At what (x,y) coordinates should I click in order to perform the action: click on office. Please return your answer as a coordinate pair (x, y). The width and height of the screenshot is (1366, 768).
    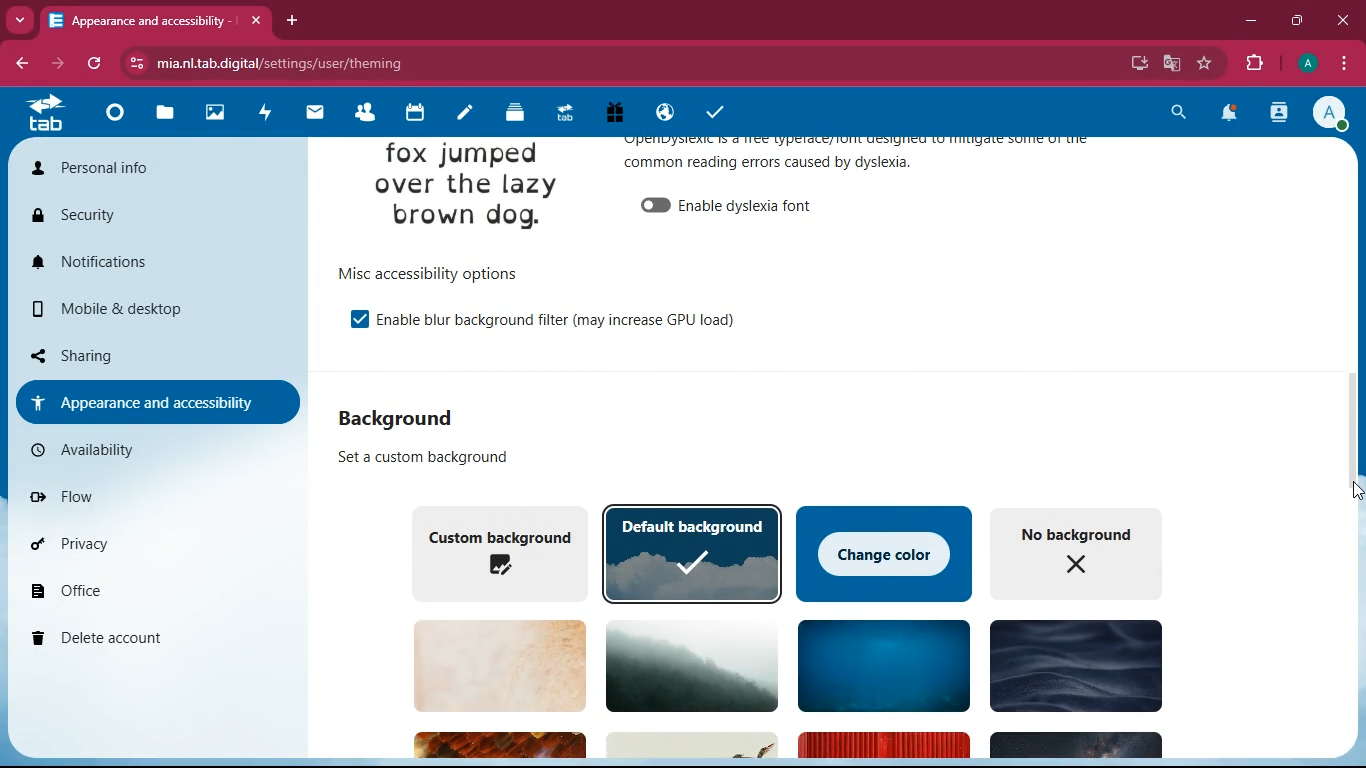
    Looking at the image, I should click on (152, 589).